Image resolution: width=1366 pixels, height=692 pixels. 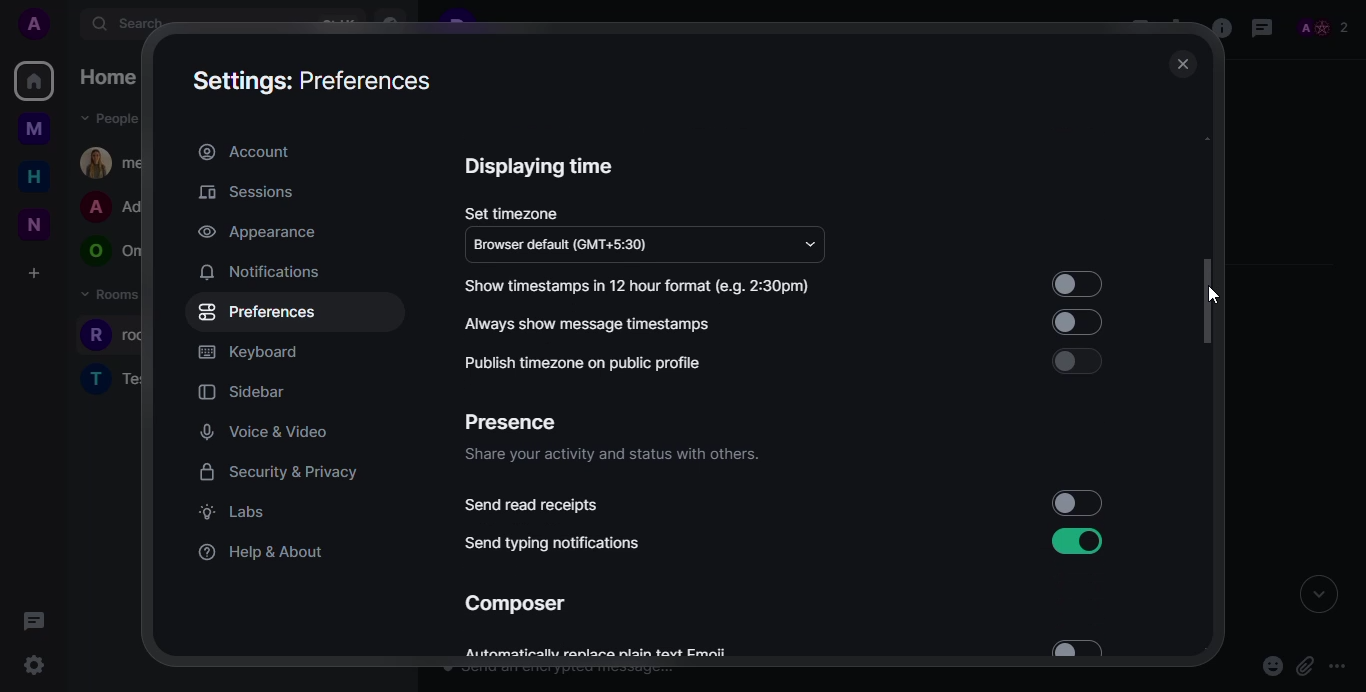 I want to click on Set timexone, so click(x=514, y=213).